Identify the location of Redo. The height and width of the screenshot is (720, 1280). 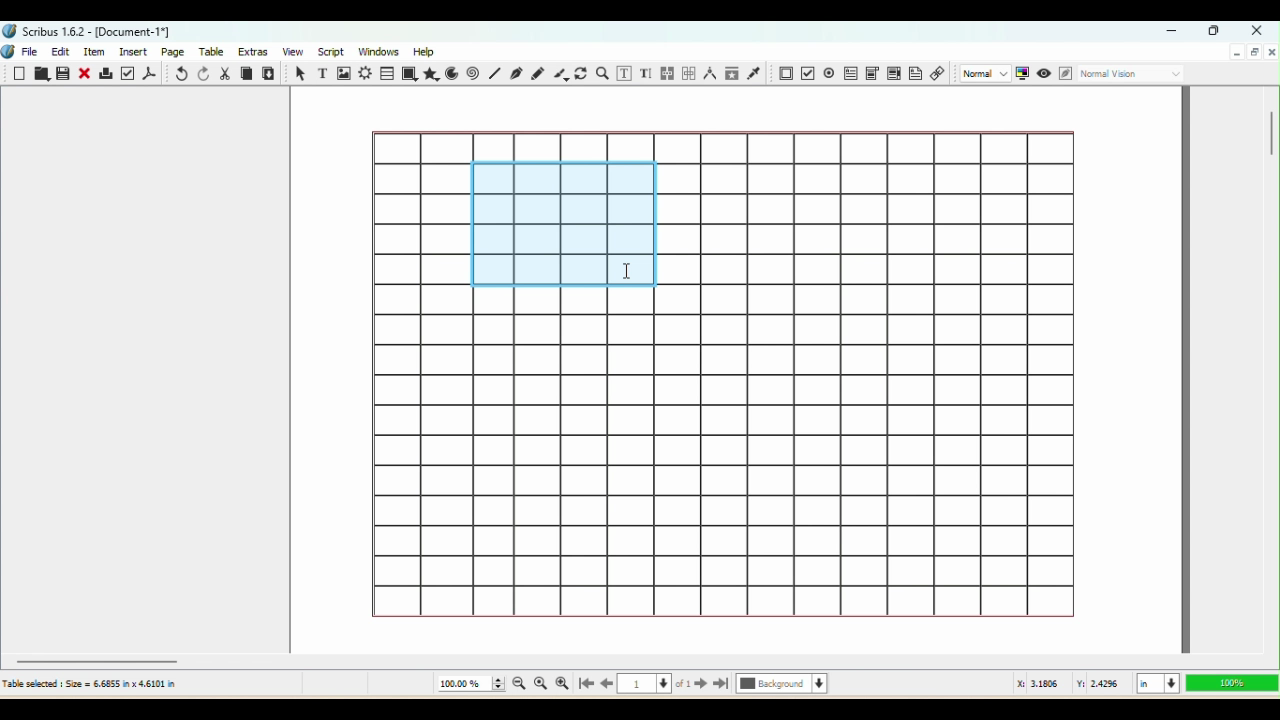
(202, 74).